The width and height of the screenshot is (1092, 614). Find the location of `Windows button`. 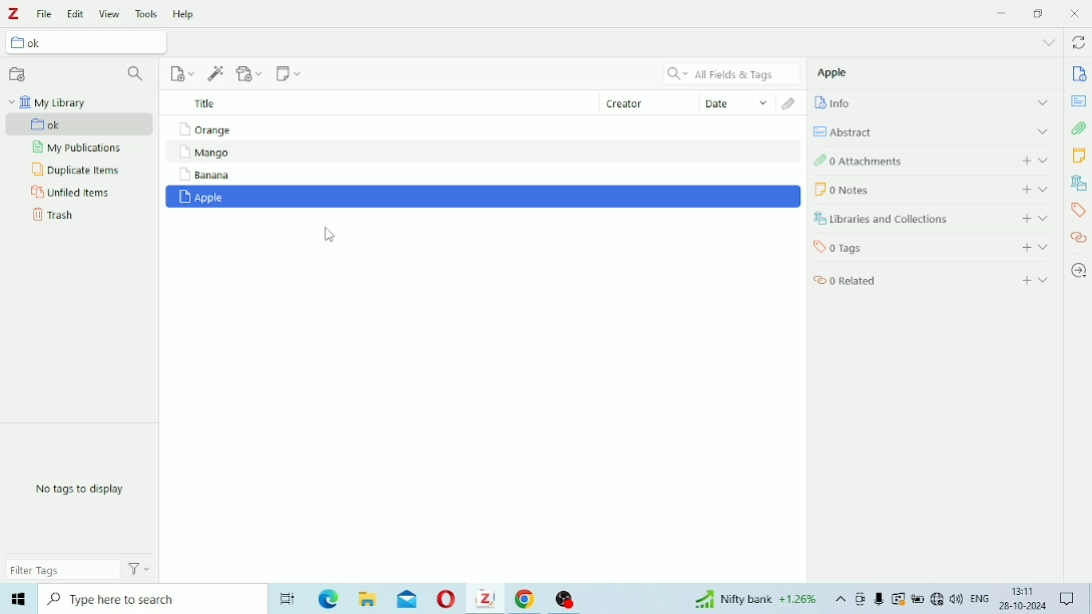

Windows button is located at coordinates (18, 602).